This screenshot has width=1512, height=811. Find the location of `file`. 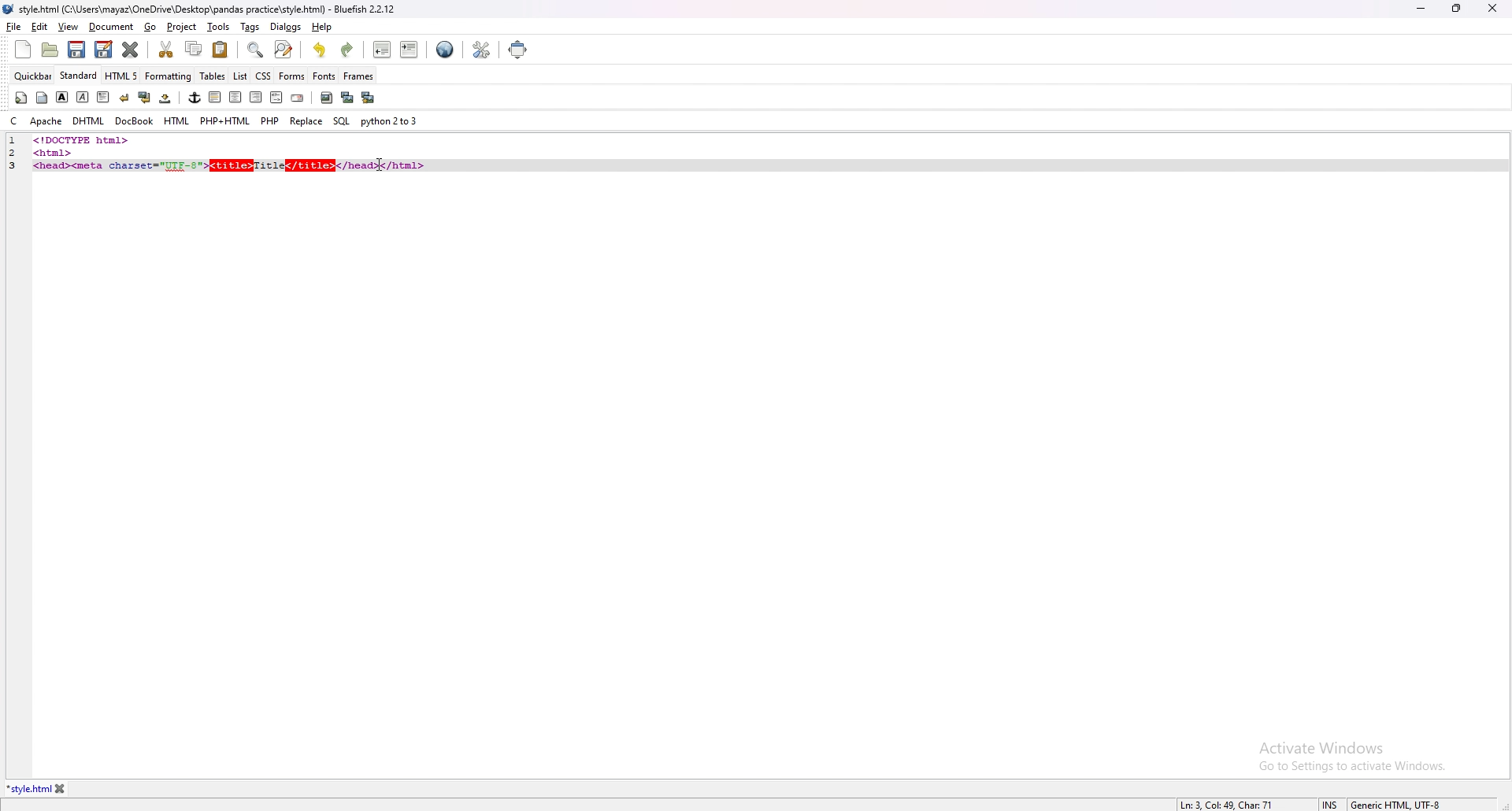

file is located at coordinates (14, 26).